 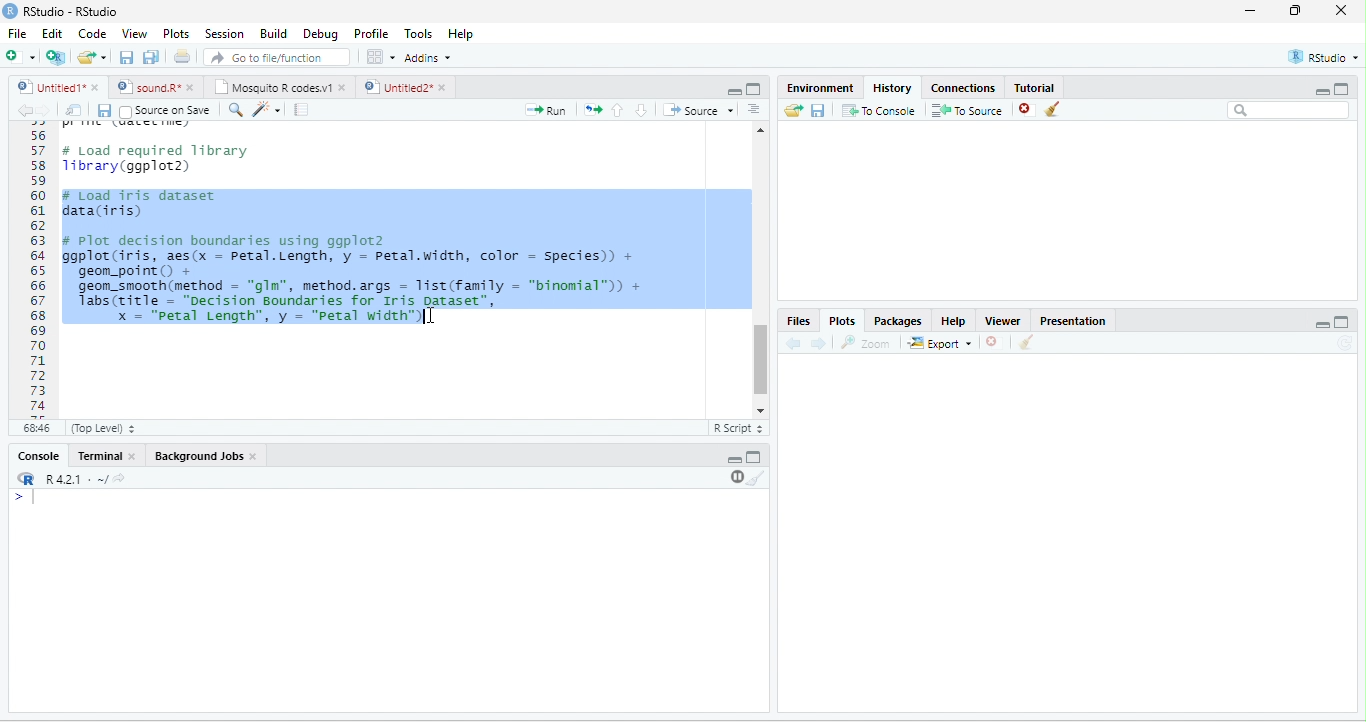 I want to click on close, so click(x=254, y=456).